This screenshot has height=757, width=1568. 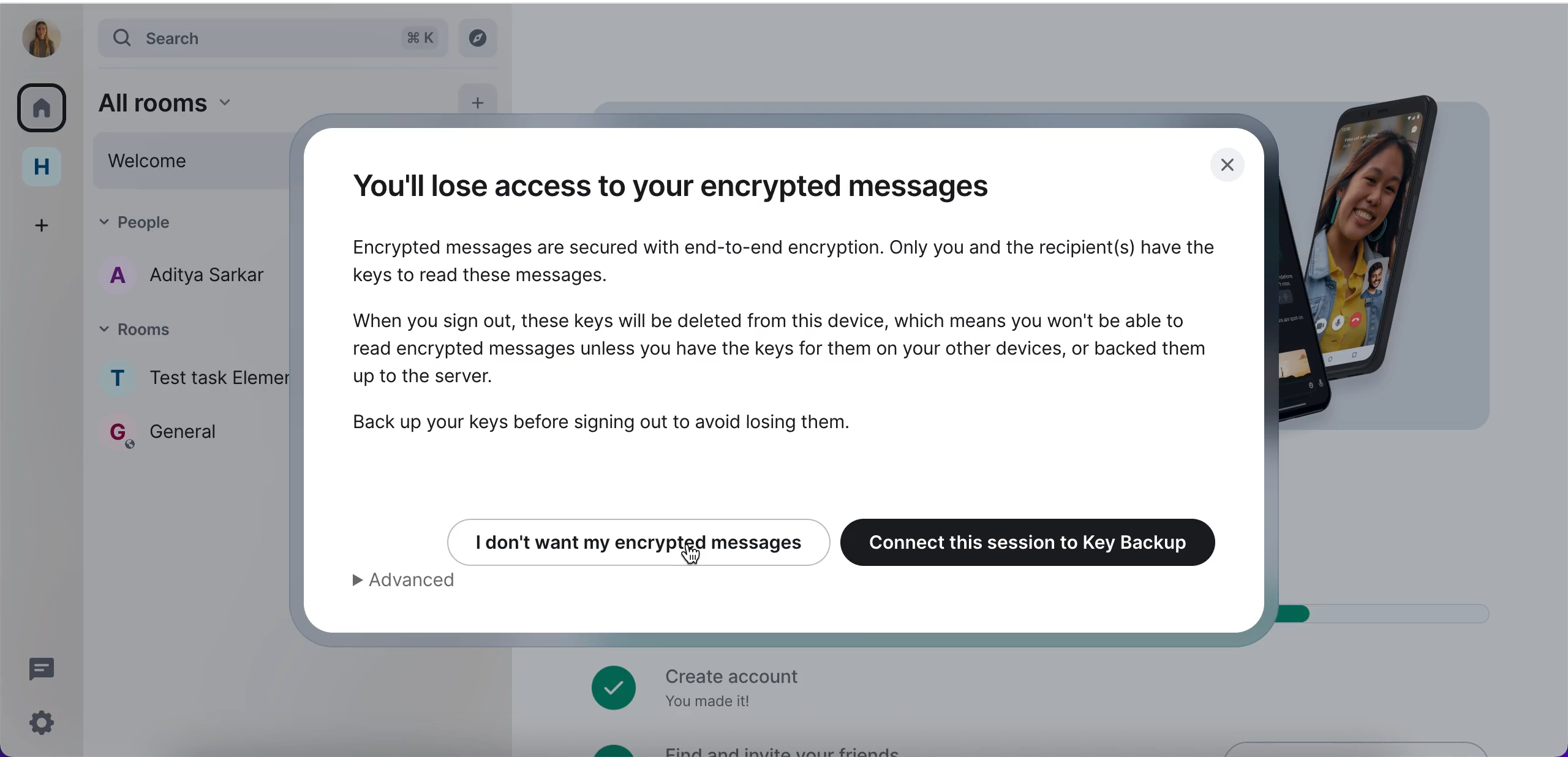 What do you see at coordinates (42, 38) in the screenshot?
I see `user` at bounding box center [42, 38].